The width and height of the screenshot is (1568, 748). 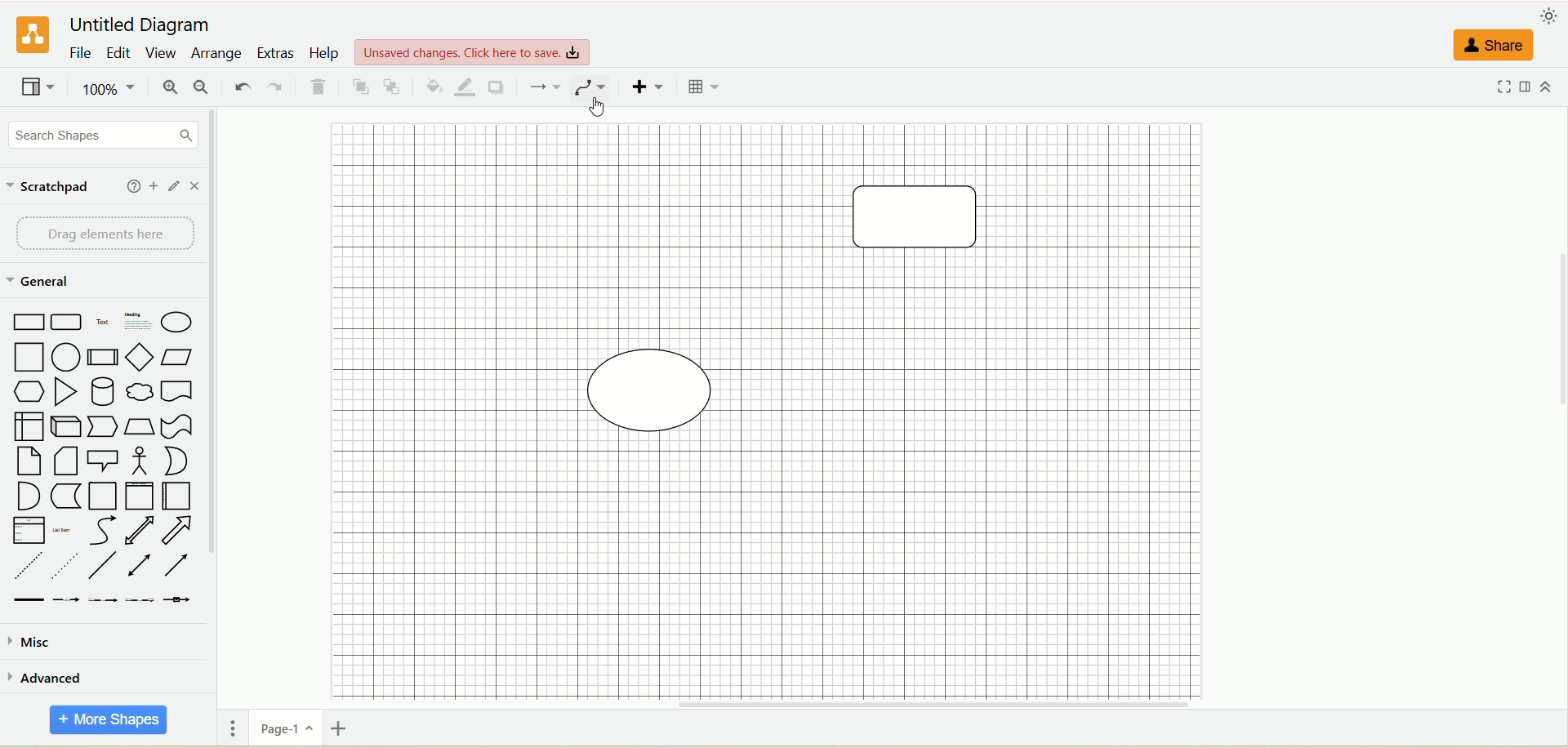 I want to click on waypoints, so click(x=590, y=87).